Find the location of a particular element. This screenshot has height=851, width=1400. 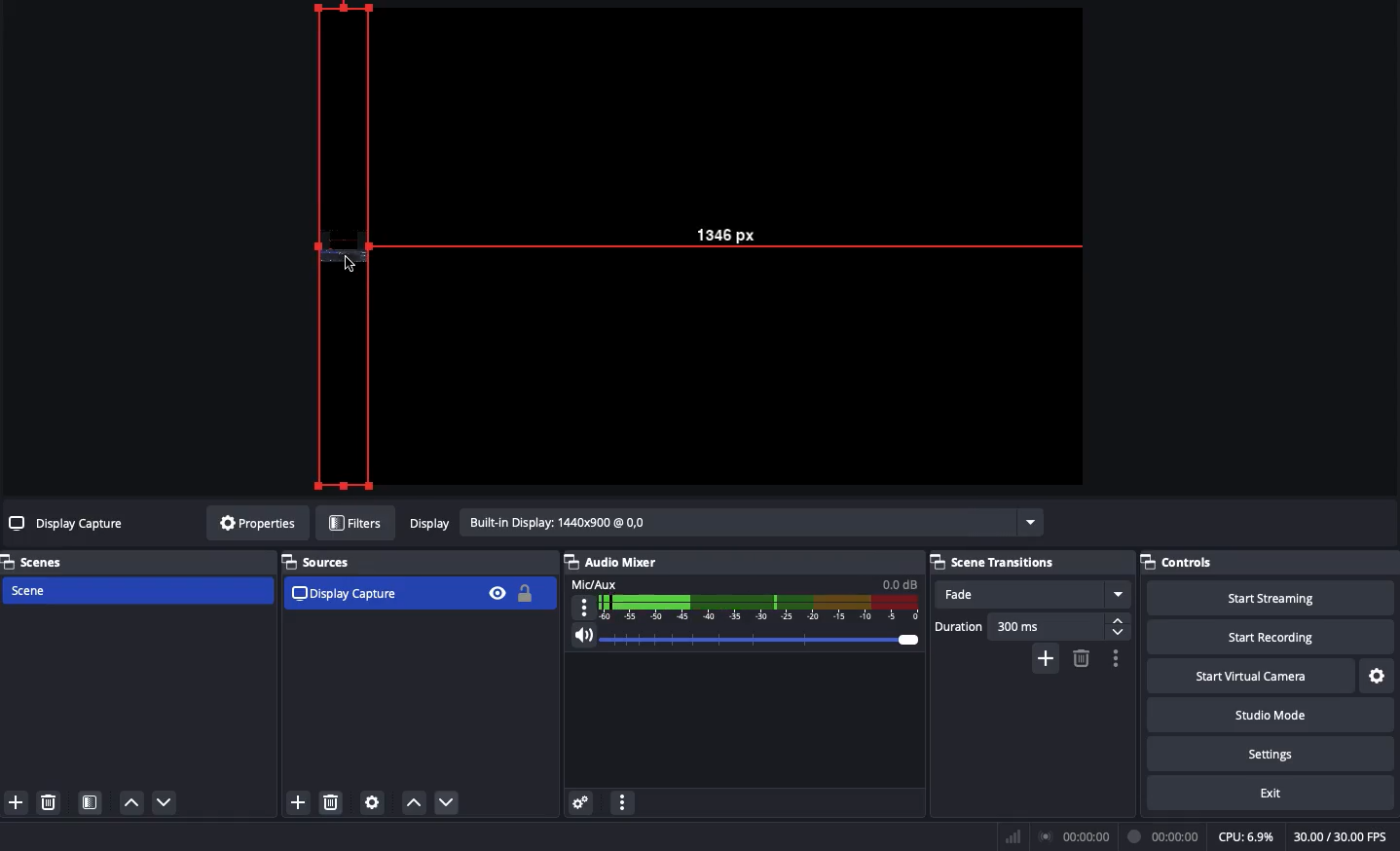

Source properties is located at coordinates (371, 803).